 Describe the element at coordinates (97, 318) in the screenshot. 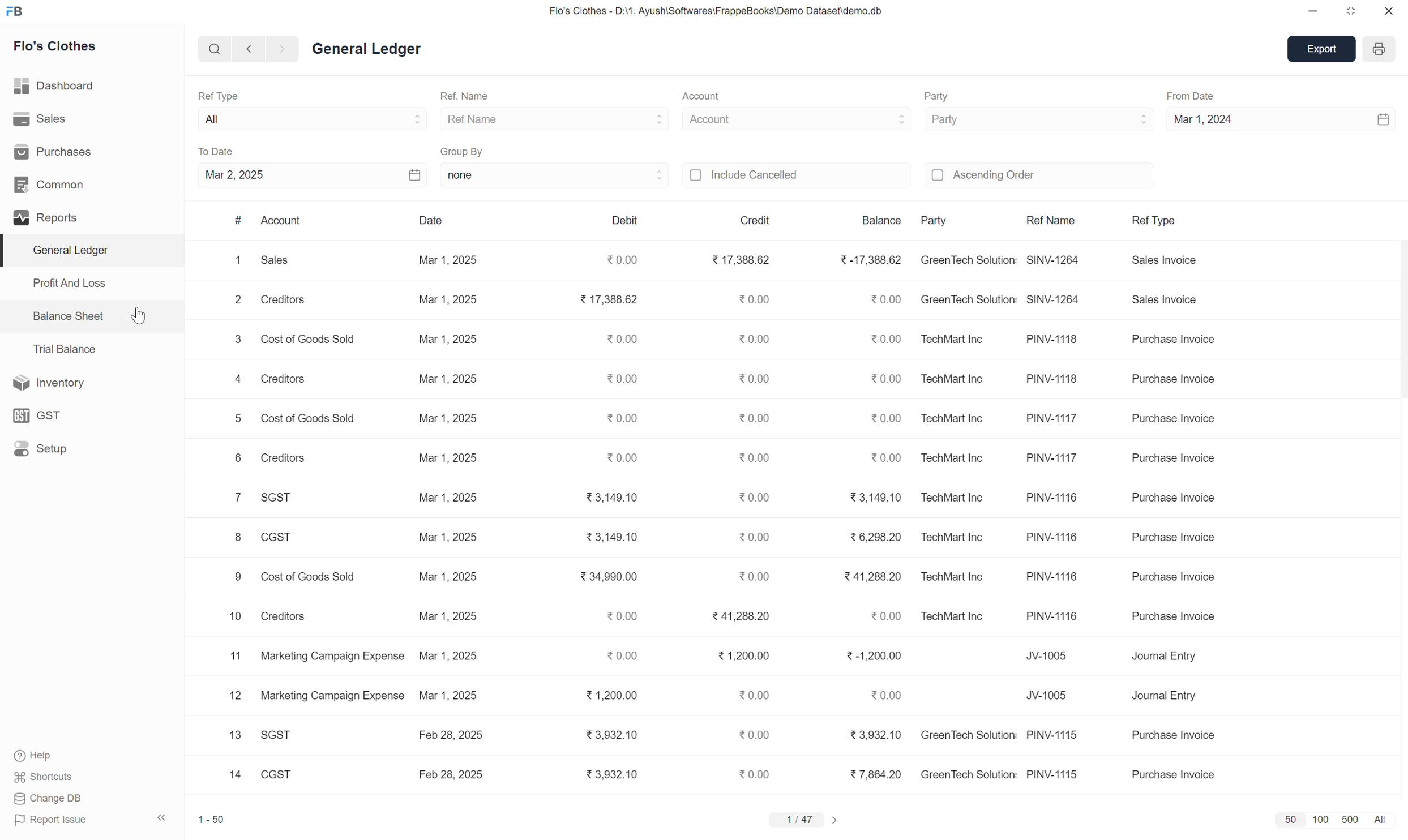

I see `Balance Sheet` at that location.